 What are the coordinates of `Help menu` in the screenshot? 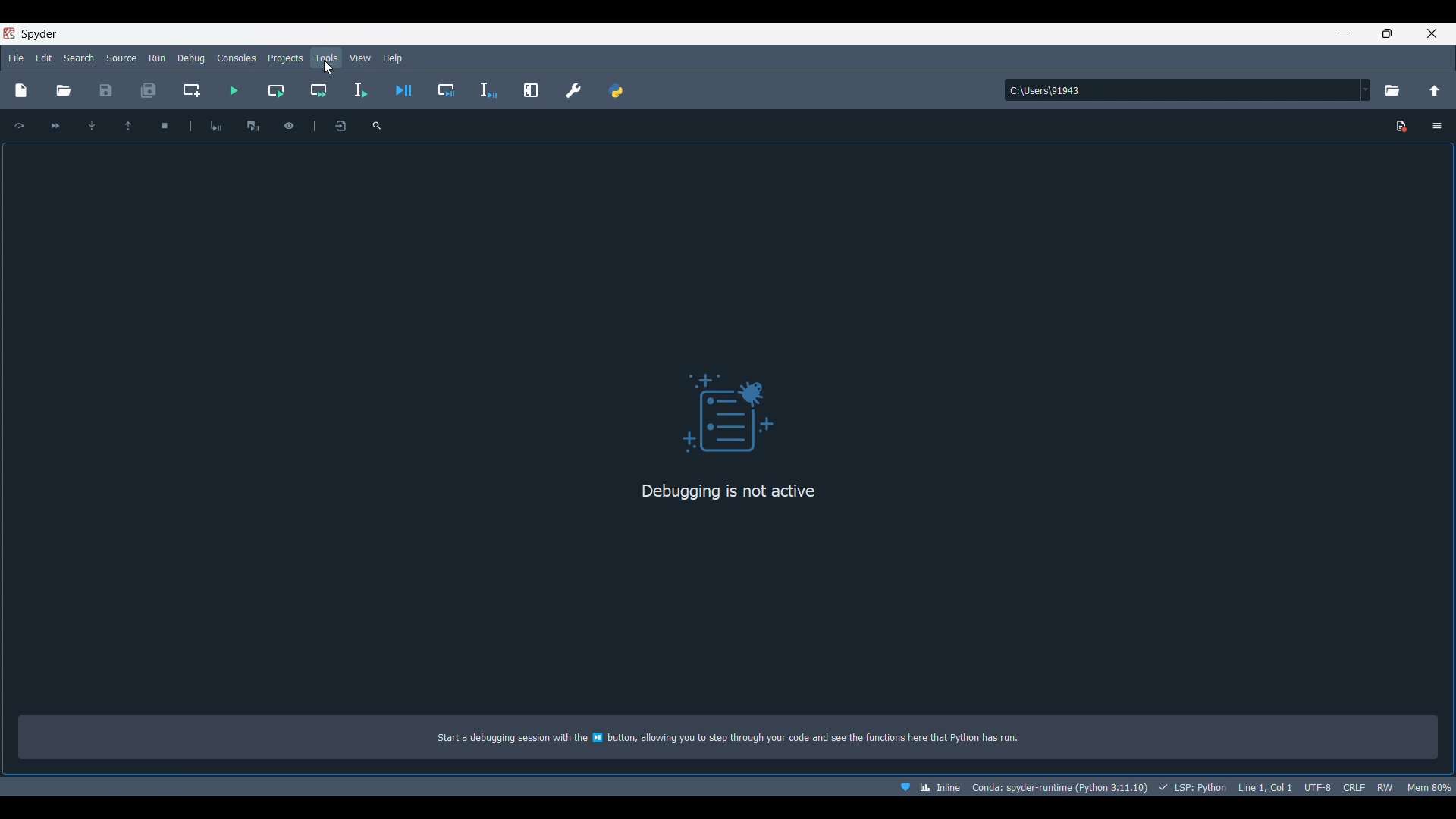 It's located at (393, 58).